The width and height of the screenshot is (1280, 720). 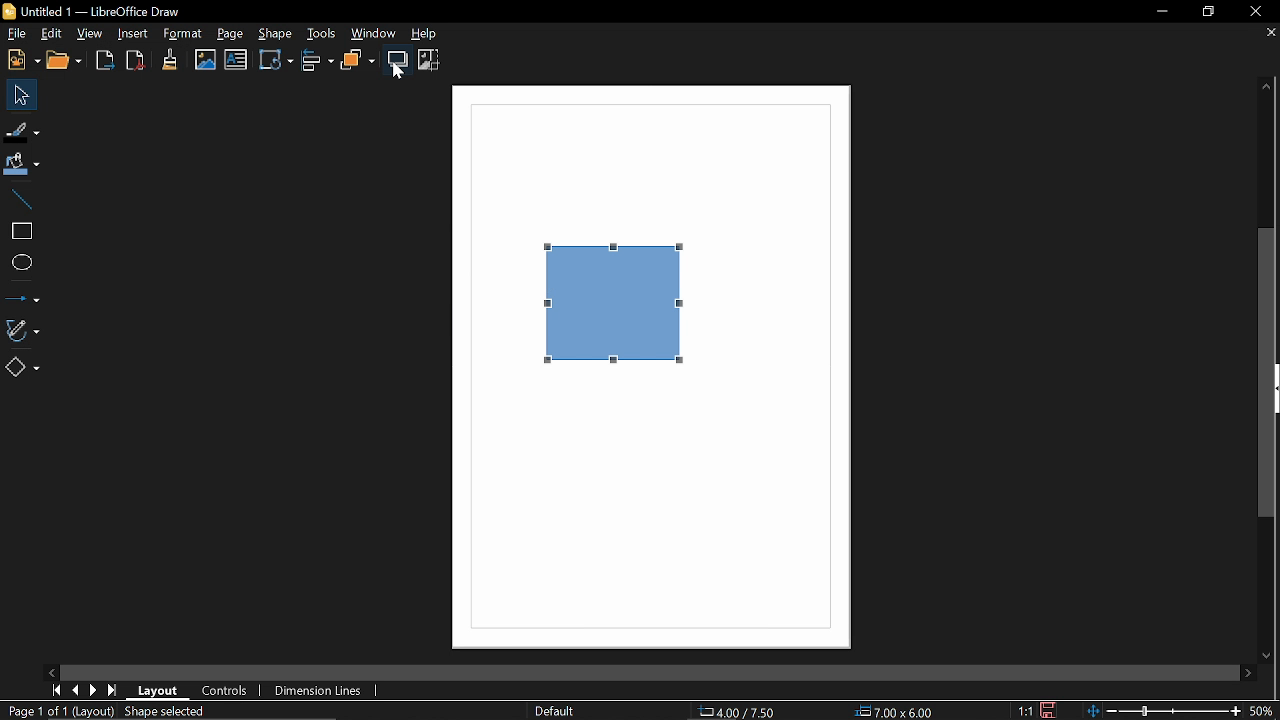 What do you see at coordinates (20, 95) in the screenshot?
I see `Select` at bounding box center [20, 95].